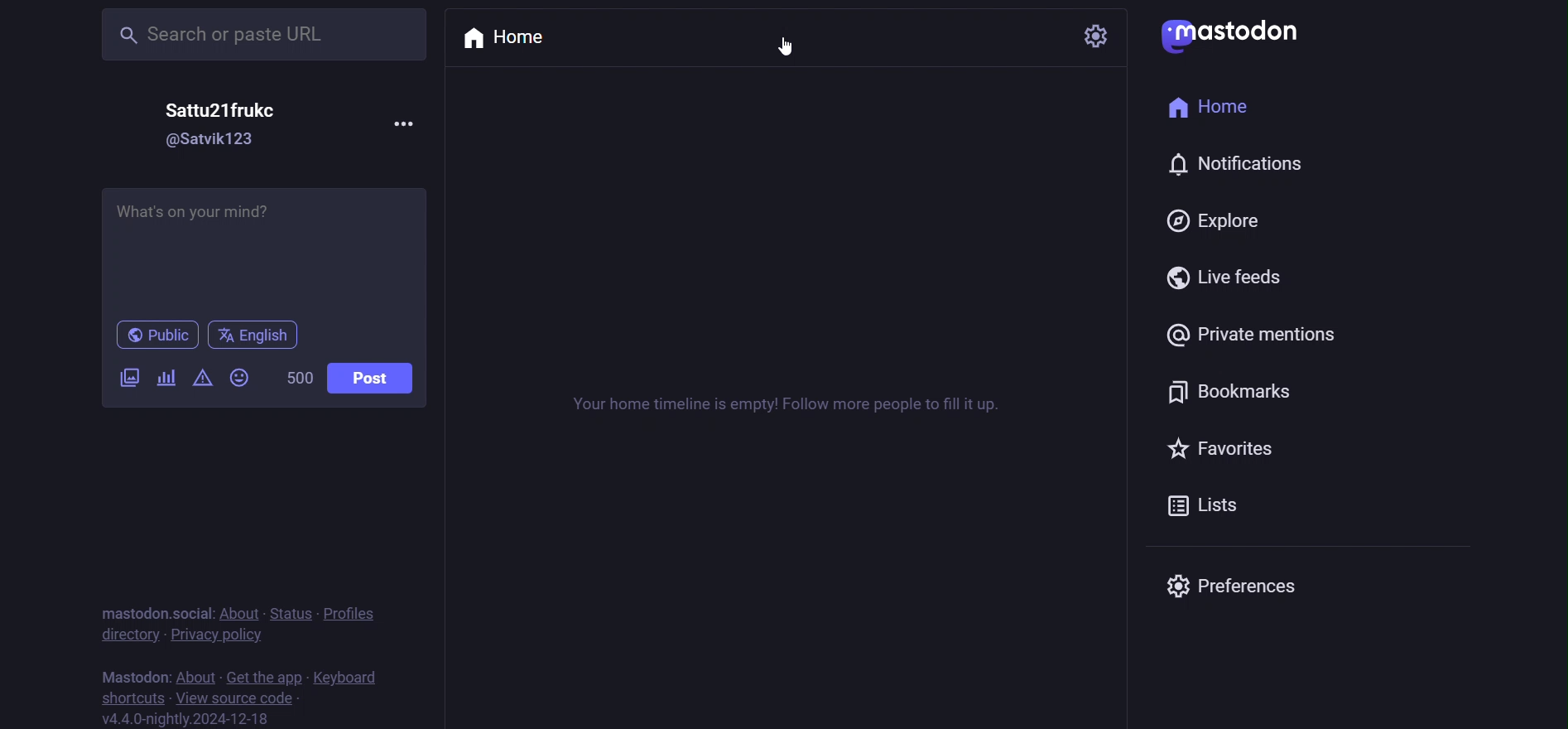  What do you see at coordinates (129, 698) in the screenshot?
I see `shortcut` at bounding box center [129, 698].